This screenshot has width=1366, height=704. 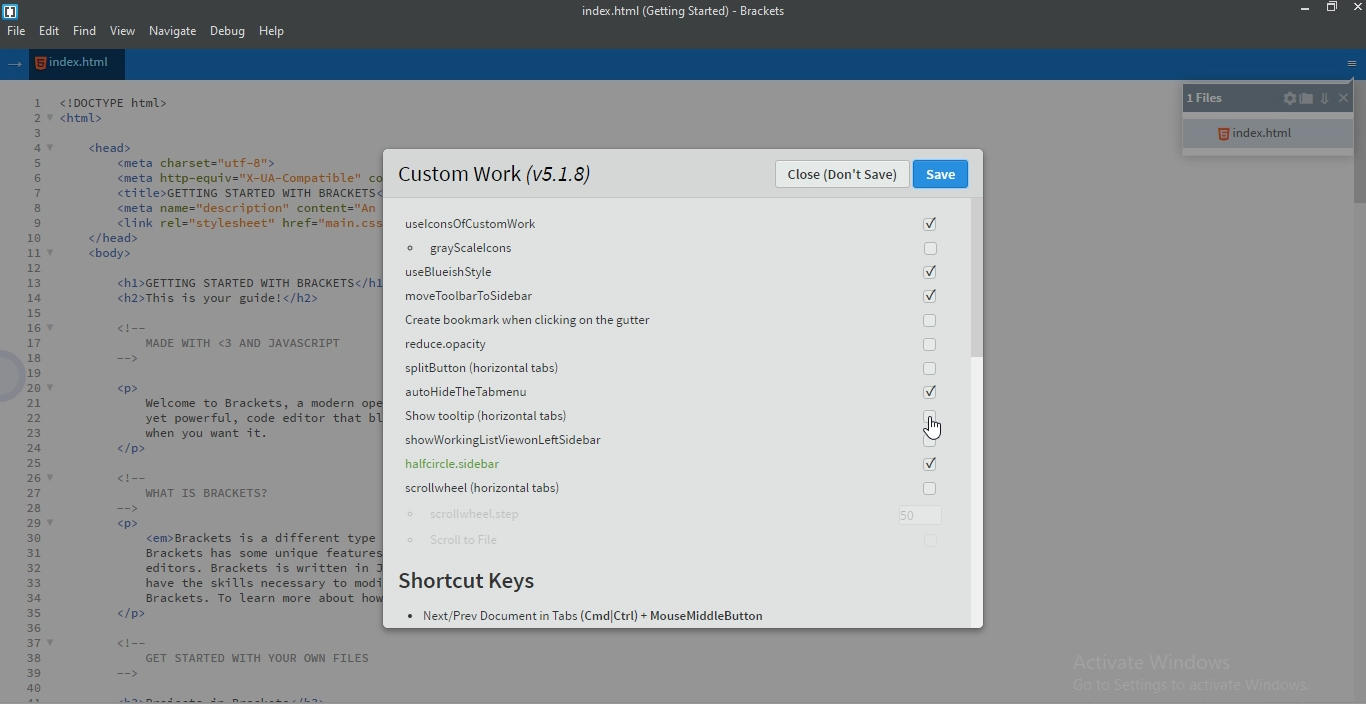 I want to click on close, so click(x=1334, y=97).